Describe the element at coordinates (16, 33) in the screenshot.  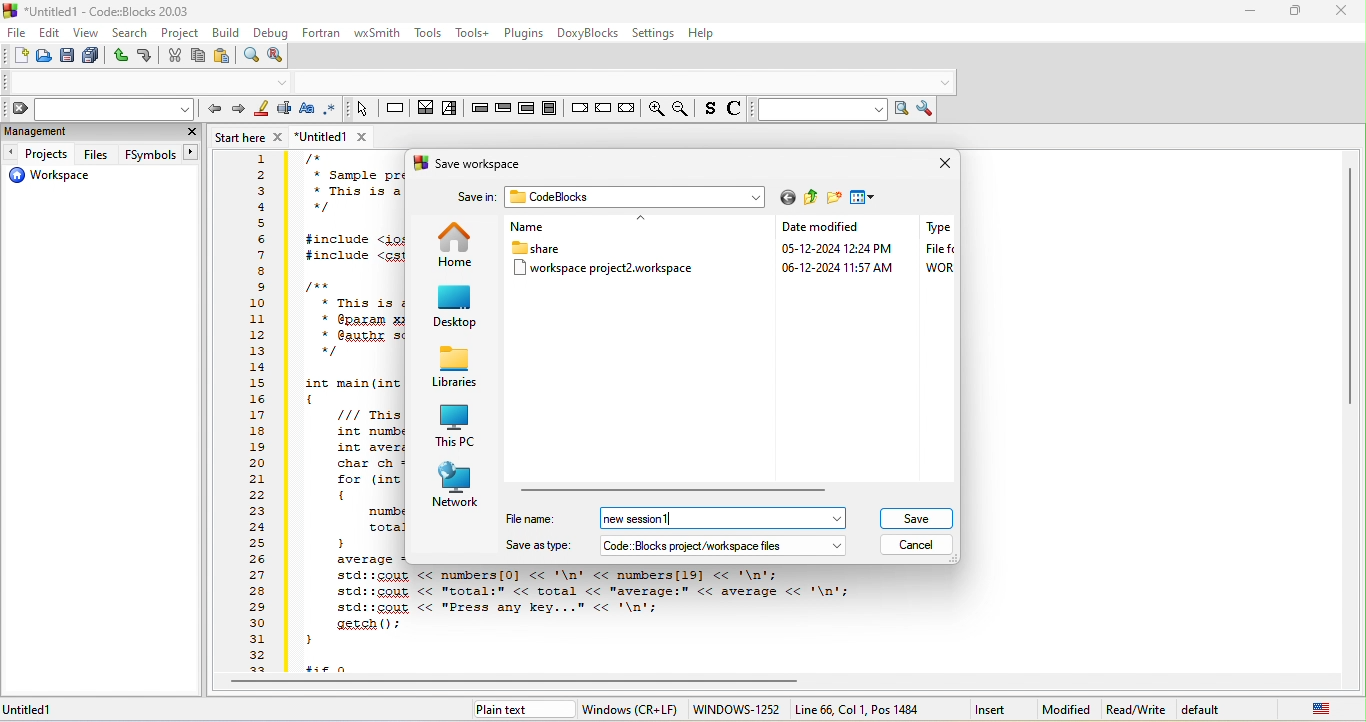
I see `file` at that location.